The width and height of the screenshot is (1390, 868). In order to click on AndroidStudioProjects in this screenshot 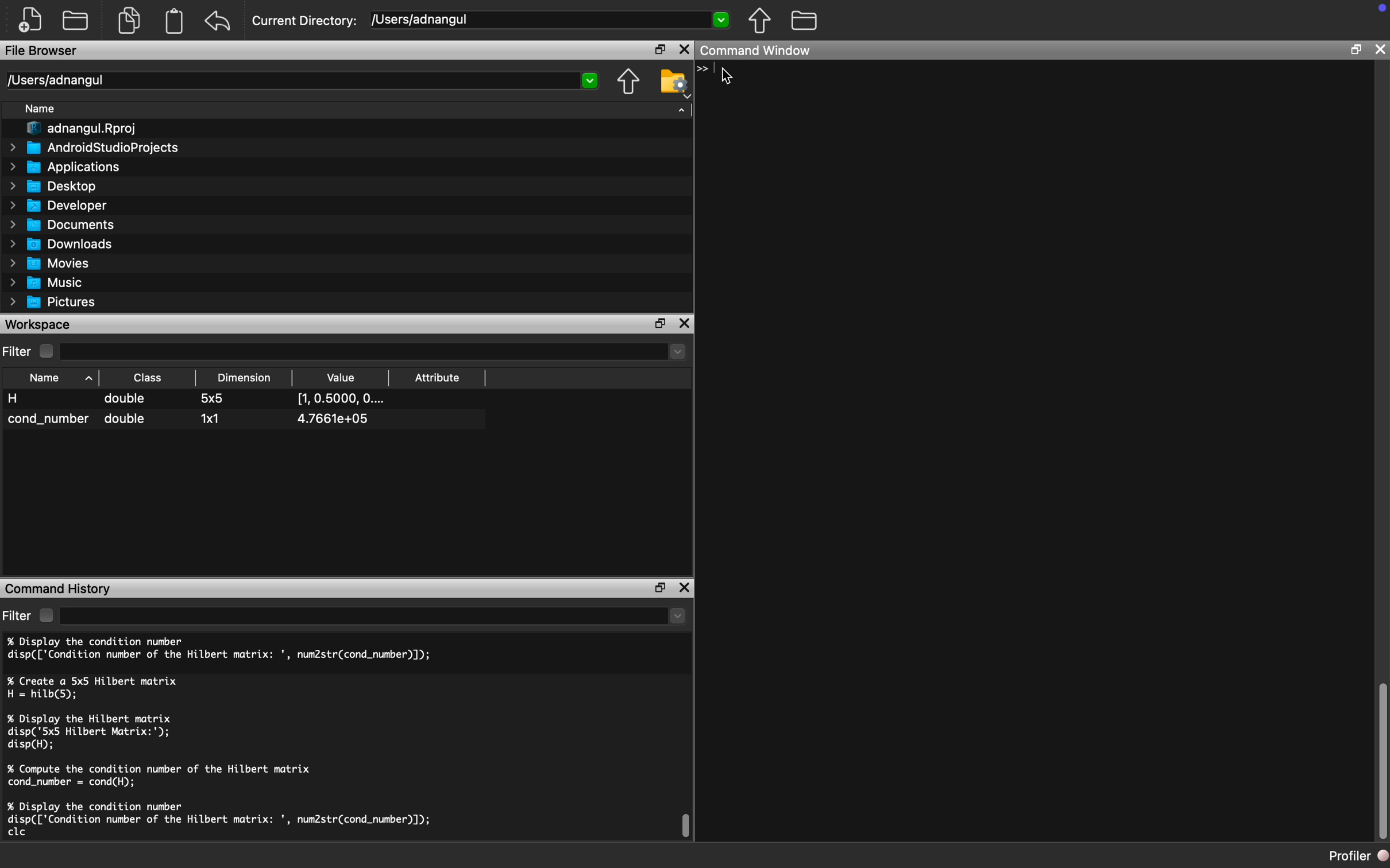, I will do `click(94, 148)`.